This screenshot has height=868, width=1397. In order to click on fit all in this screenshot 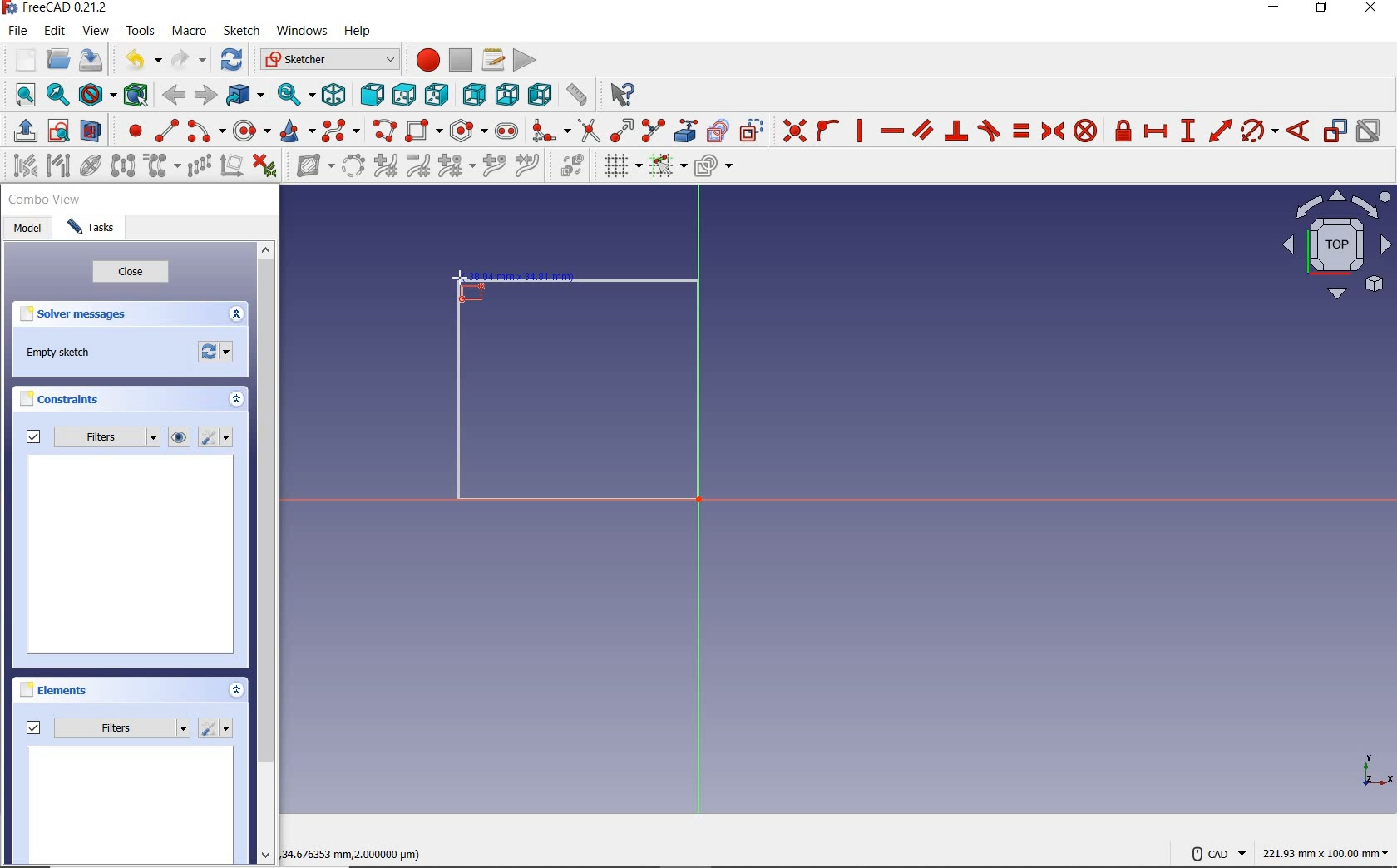, I will do `click(20, 96)`.